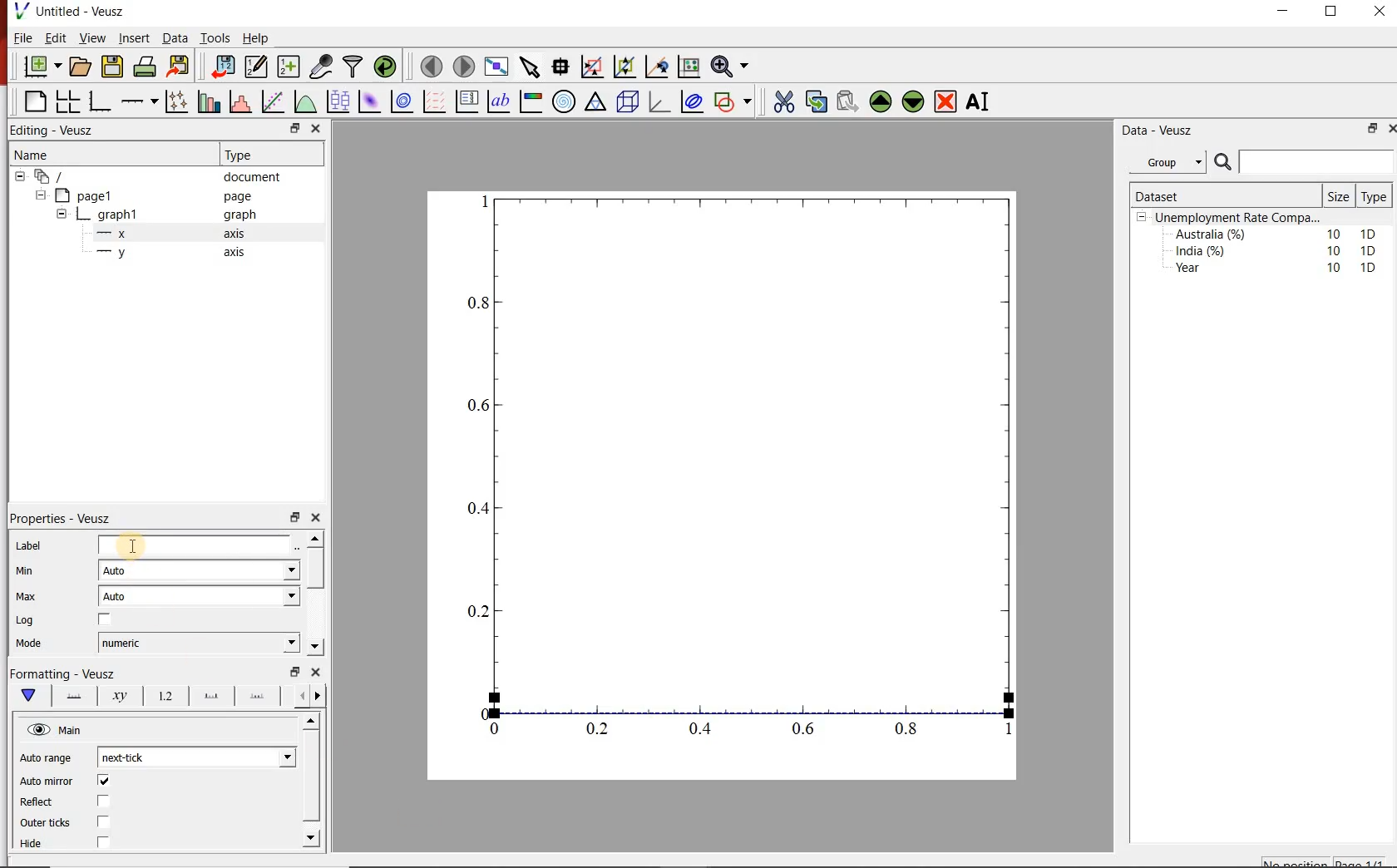  I want to click on Untitled - Veusz, so click(68, 10).